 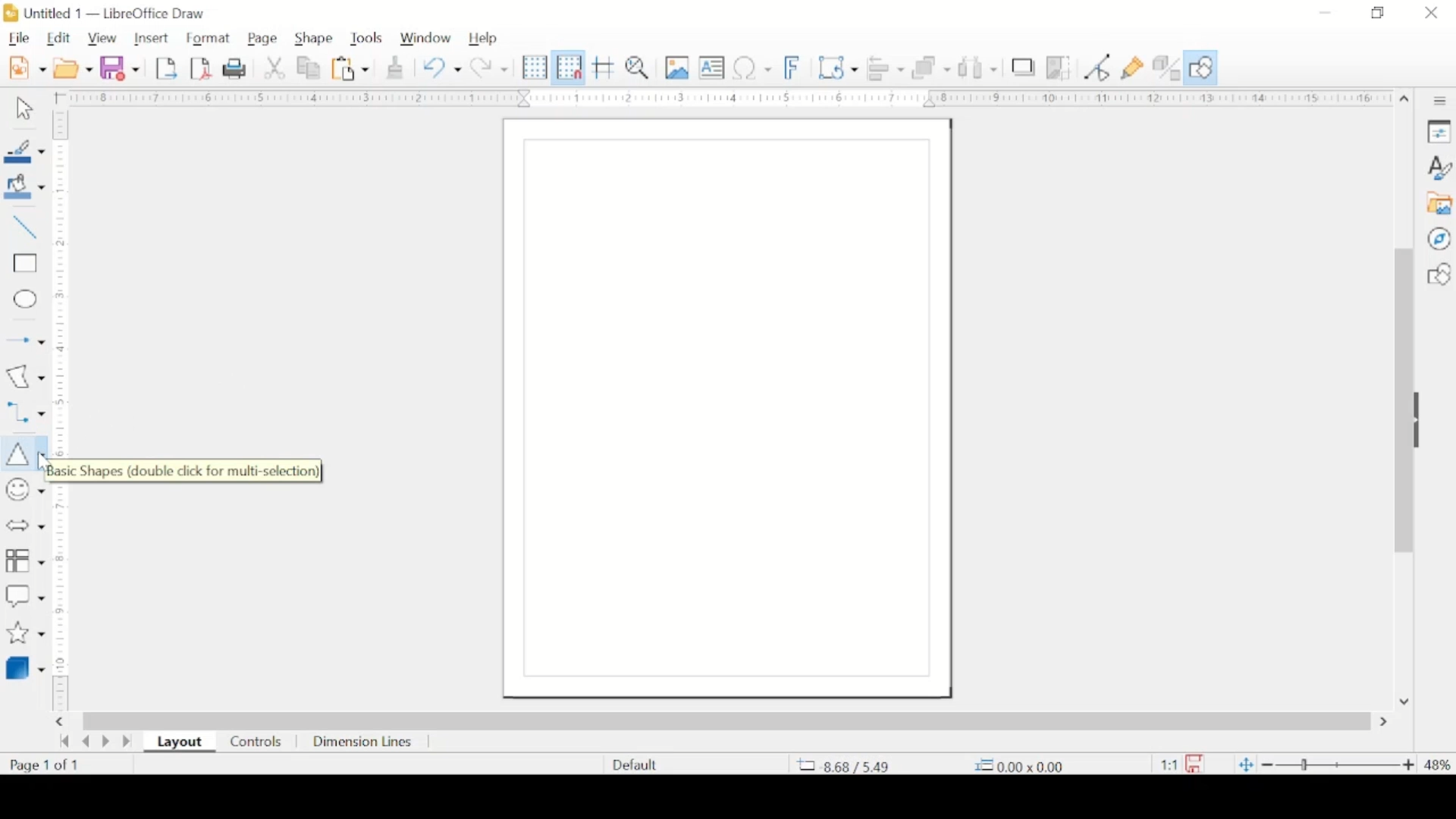 What do you see at coordinates (933, 67) in the screenshot?
I see `arrange` at bounding box center [933, 67].